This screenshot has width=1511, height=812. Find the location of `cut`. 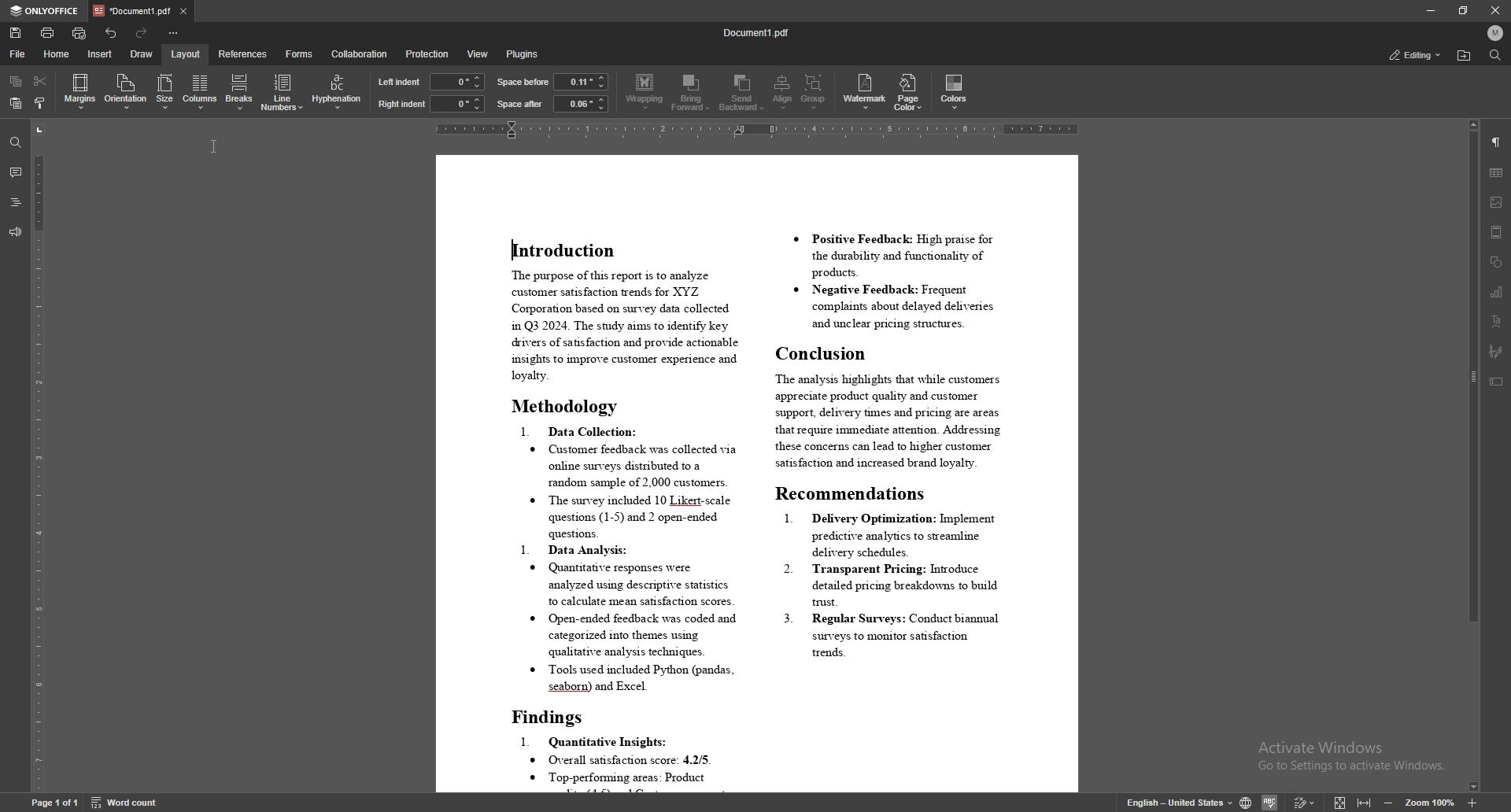

cut is located at coordinates (39, 81).